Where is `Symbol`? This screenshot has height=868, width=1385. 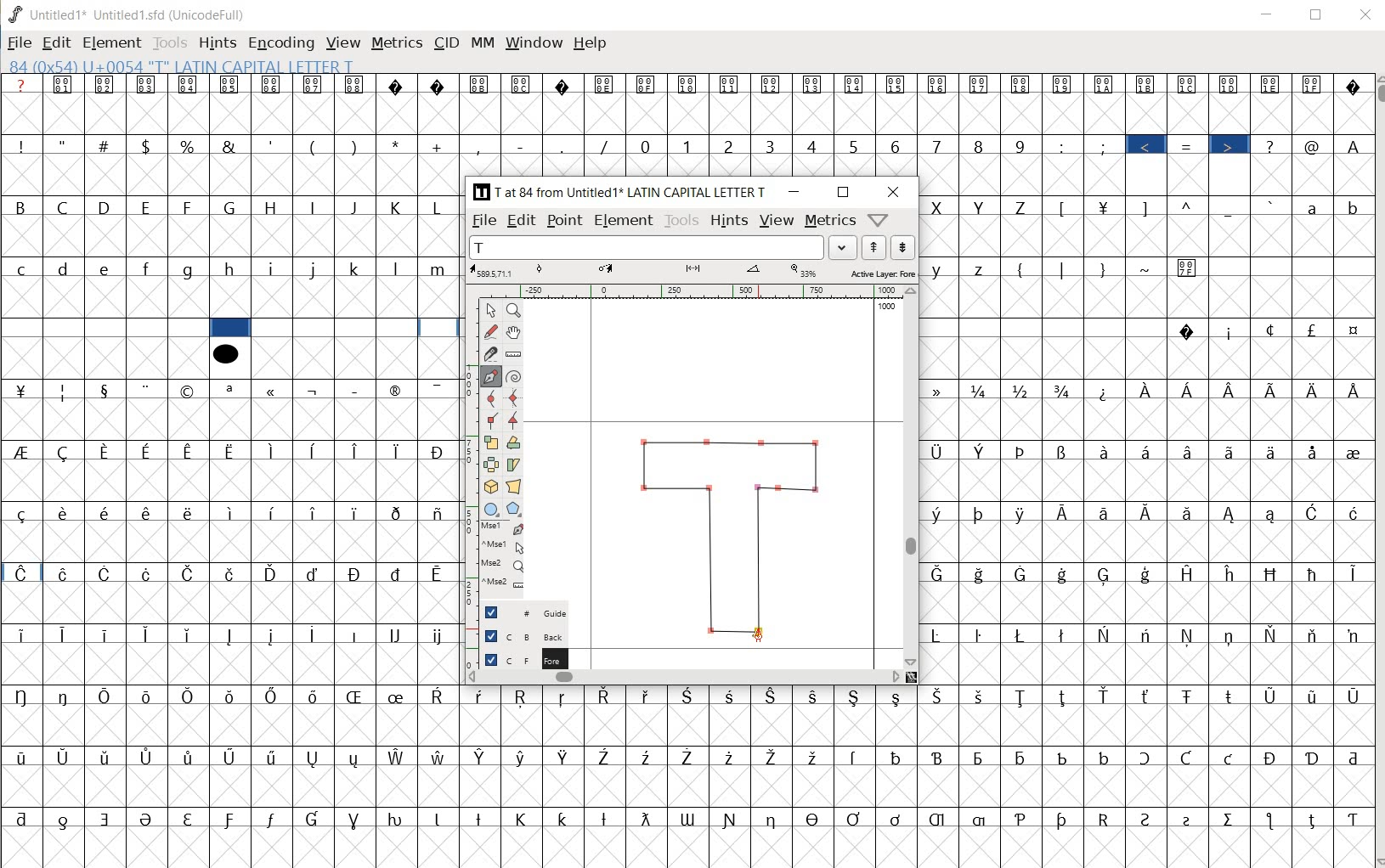
Symbol is located at coordinates (354, 696).